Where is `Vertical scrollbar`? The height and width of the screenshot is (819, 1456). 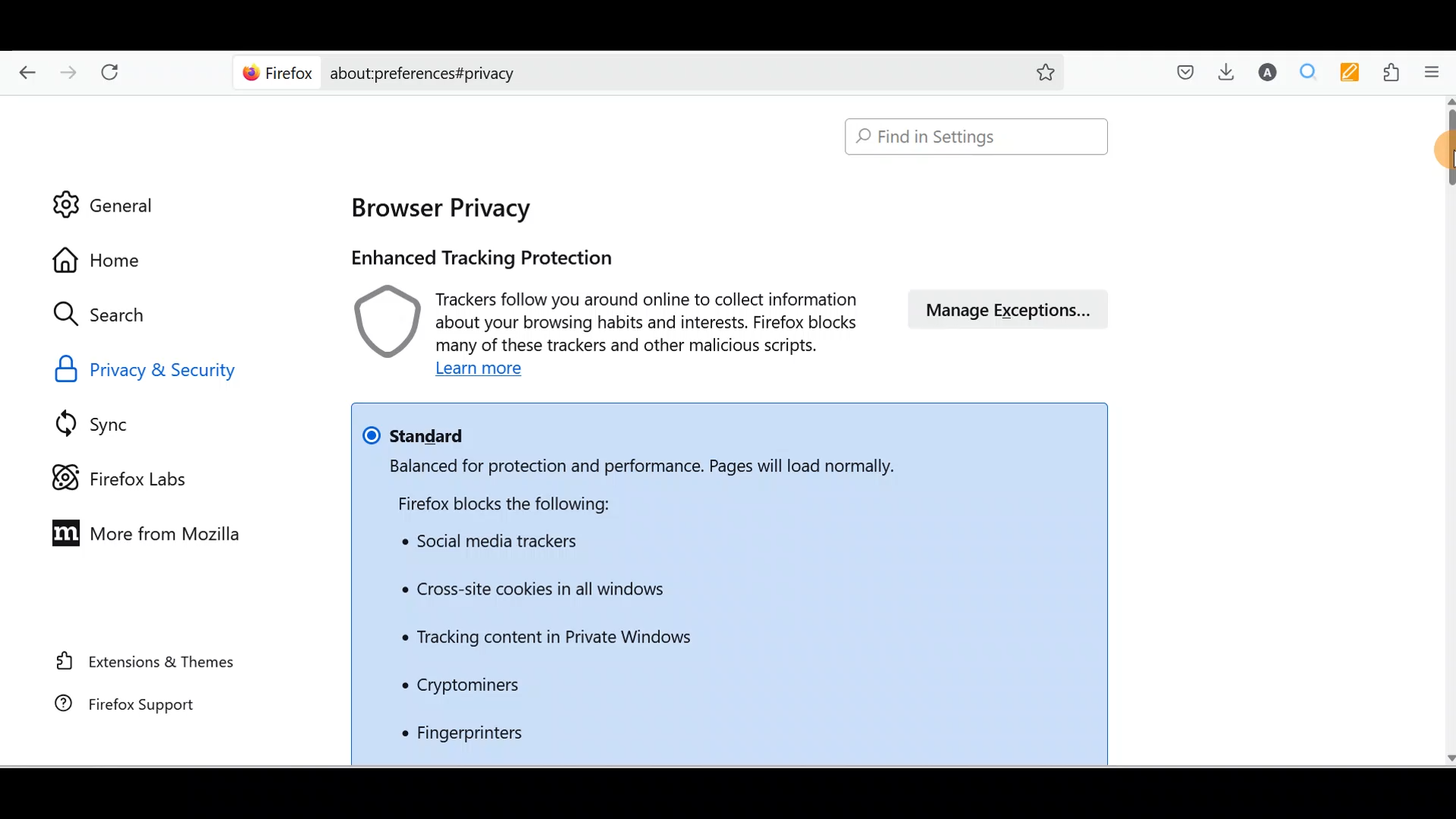 Vertical scrollbar is located at coordinates (1447, 149).